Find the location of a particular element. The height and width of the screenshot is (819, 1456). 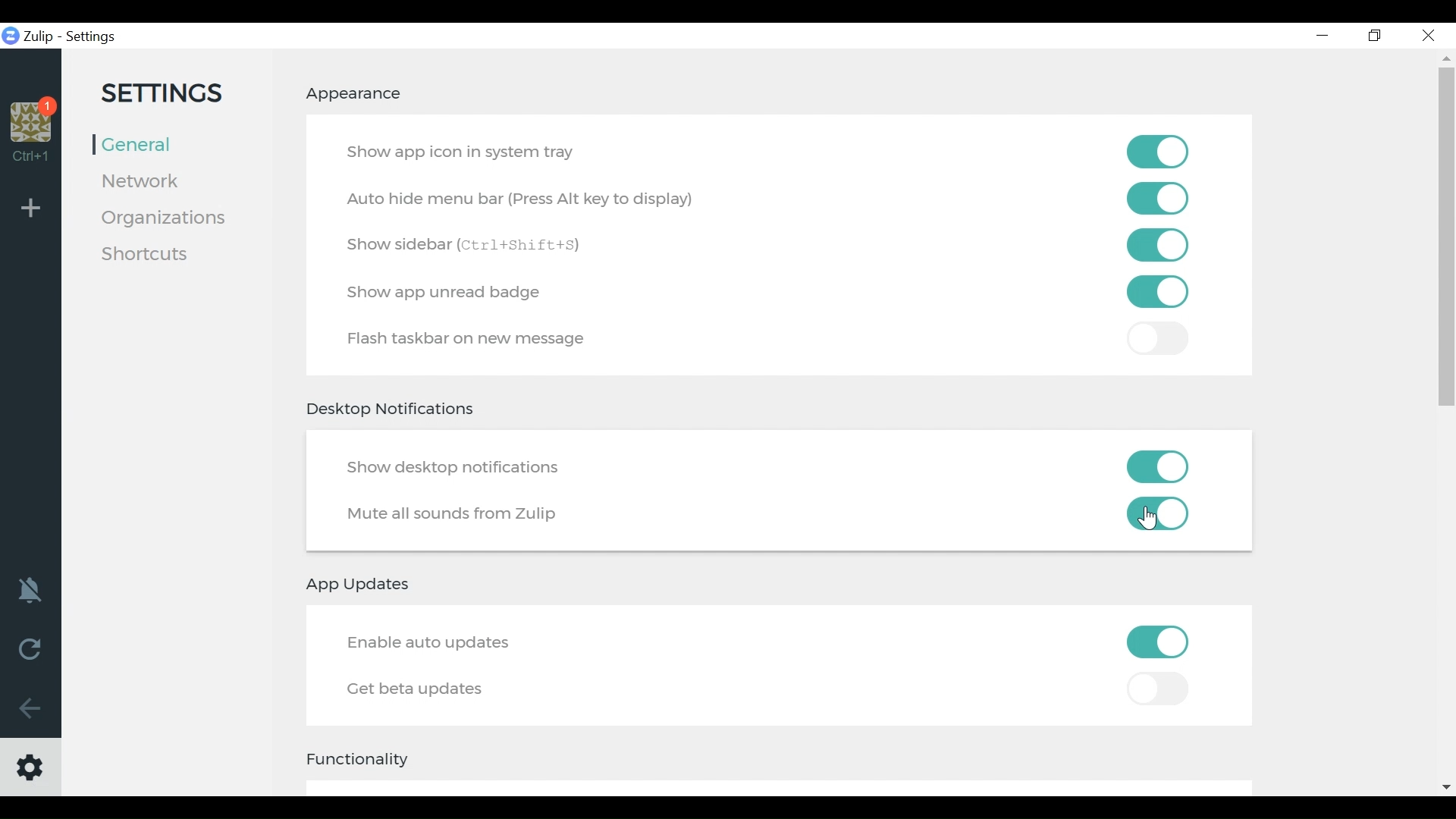

Toggle on/off show desktop notifications is located at coordinates (1162, 466).